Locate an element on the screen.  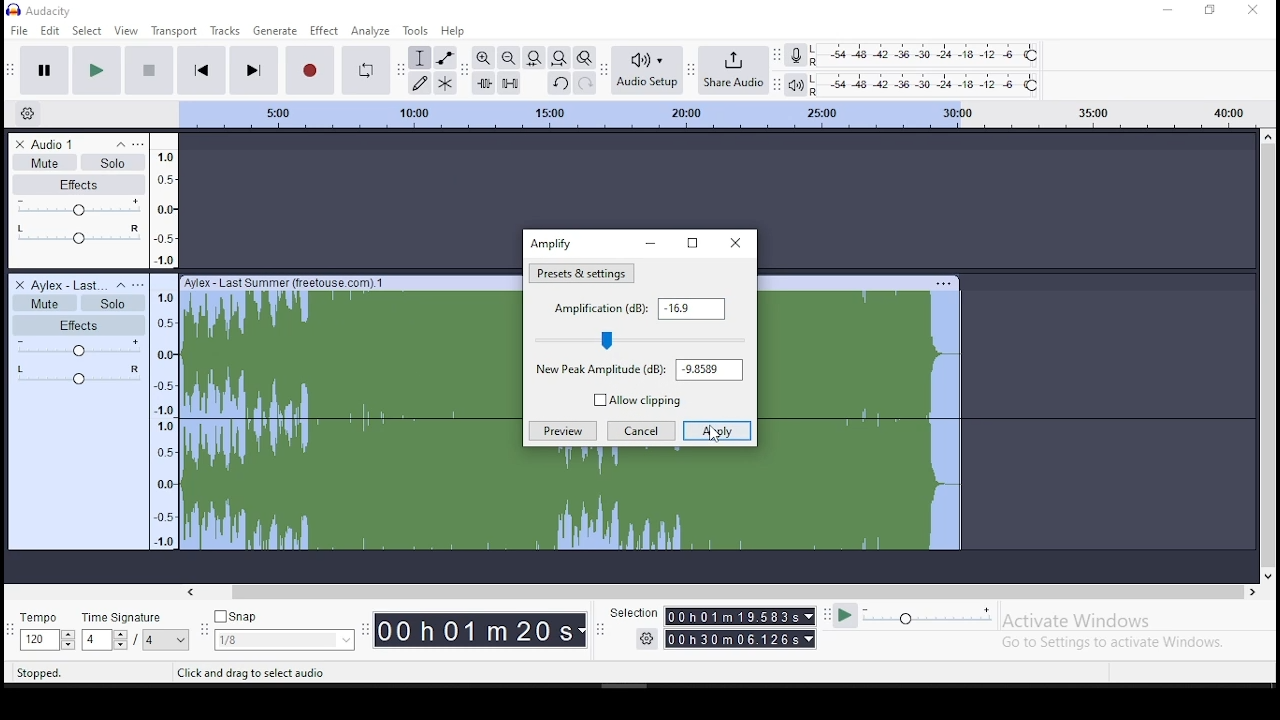
amplification is located at coordinates (583, 273).